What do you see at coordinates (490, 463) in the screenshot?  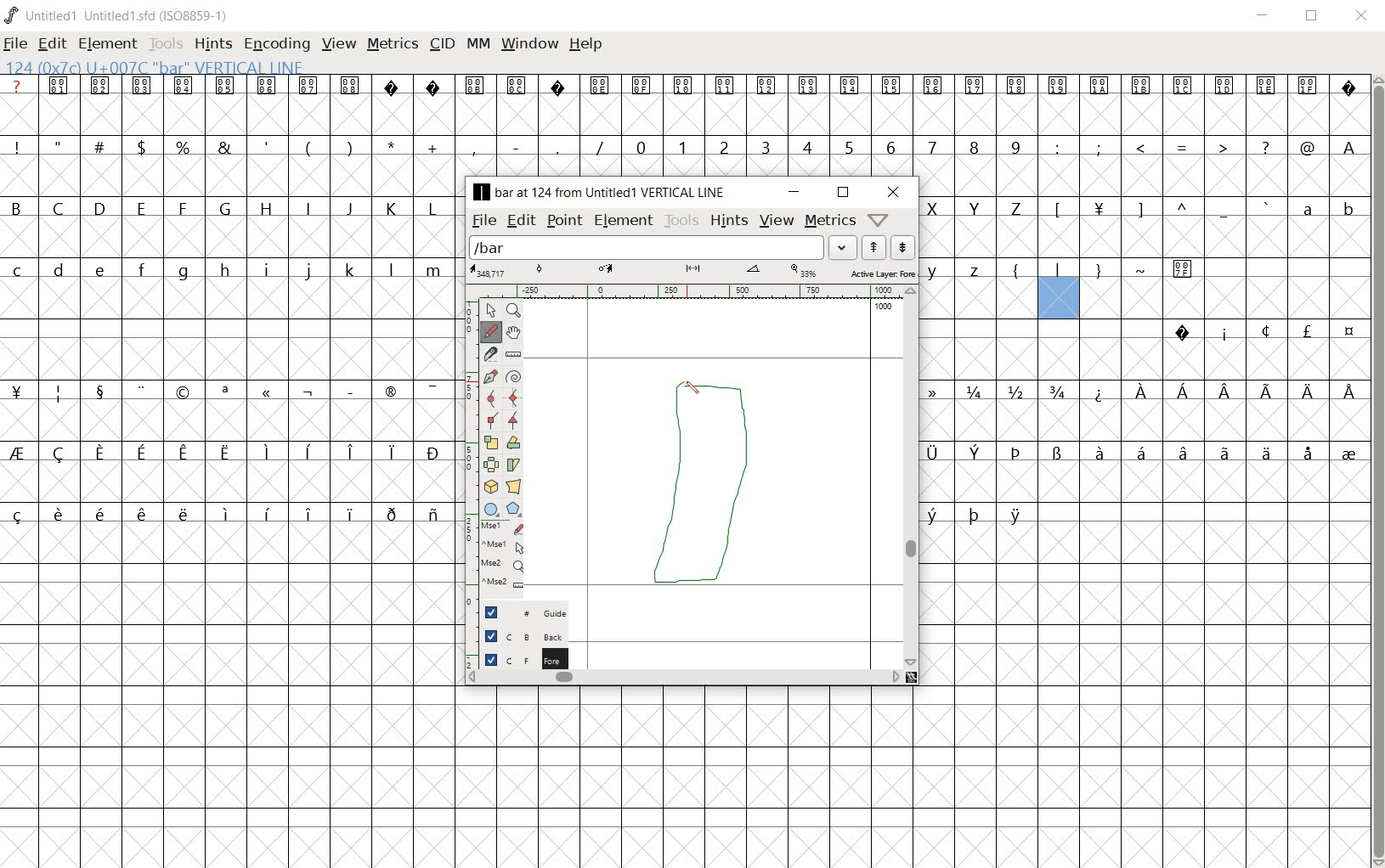 I see `flip the selection` at bounding box center [490, 463].